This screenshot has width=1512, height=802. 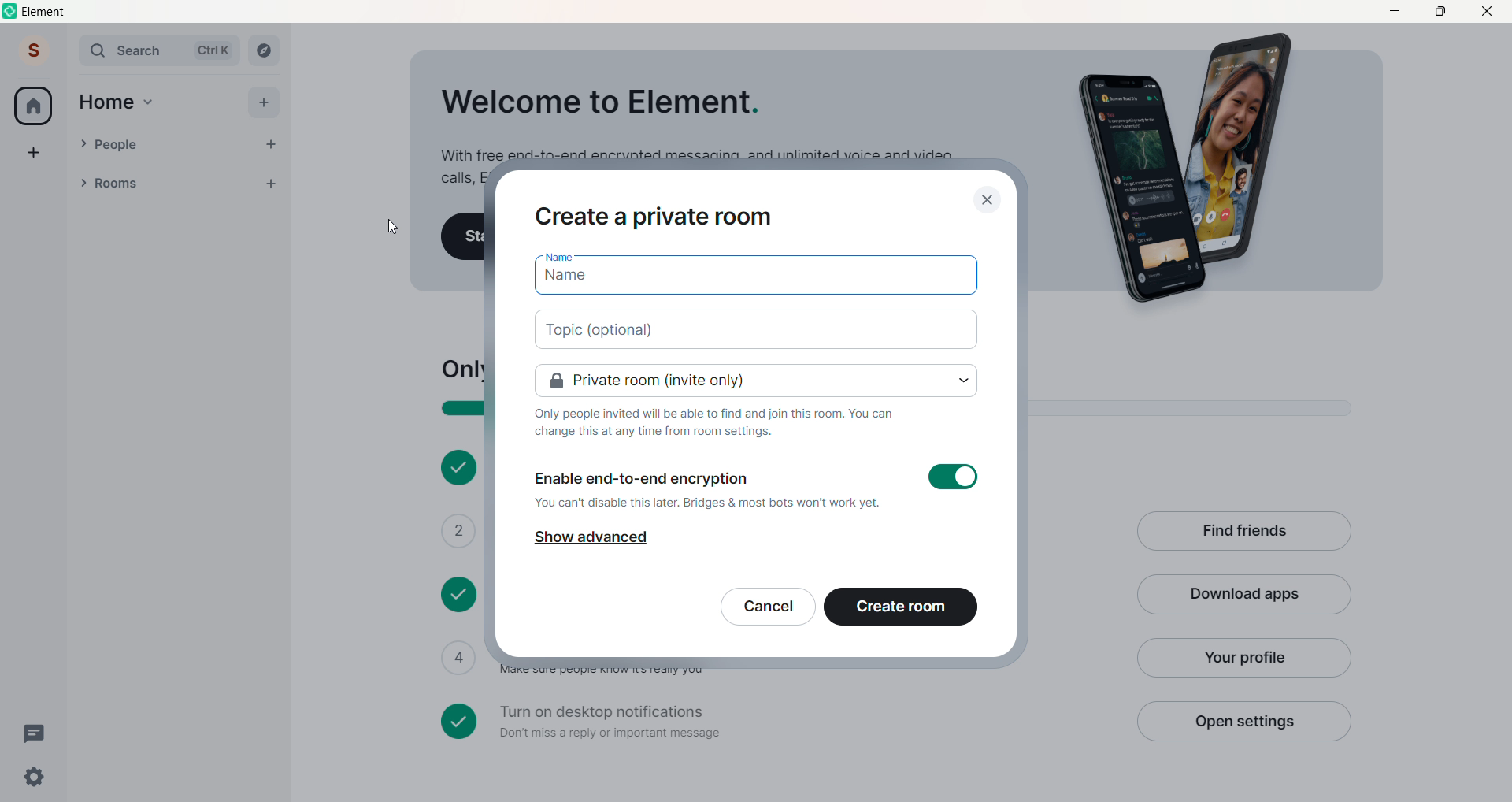 What do you see at coordinates (37, 734) in the screenshot?
I see `Threads` at bounding box center [37, 734].